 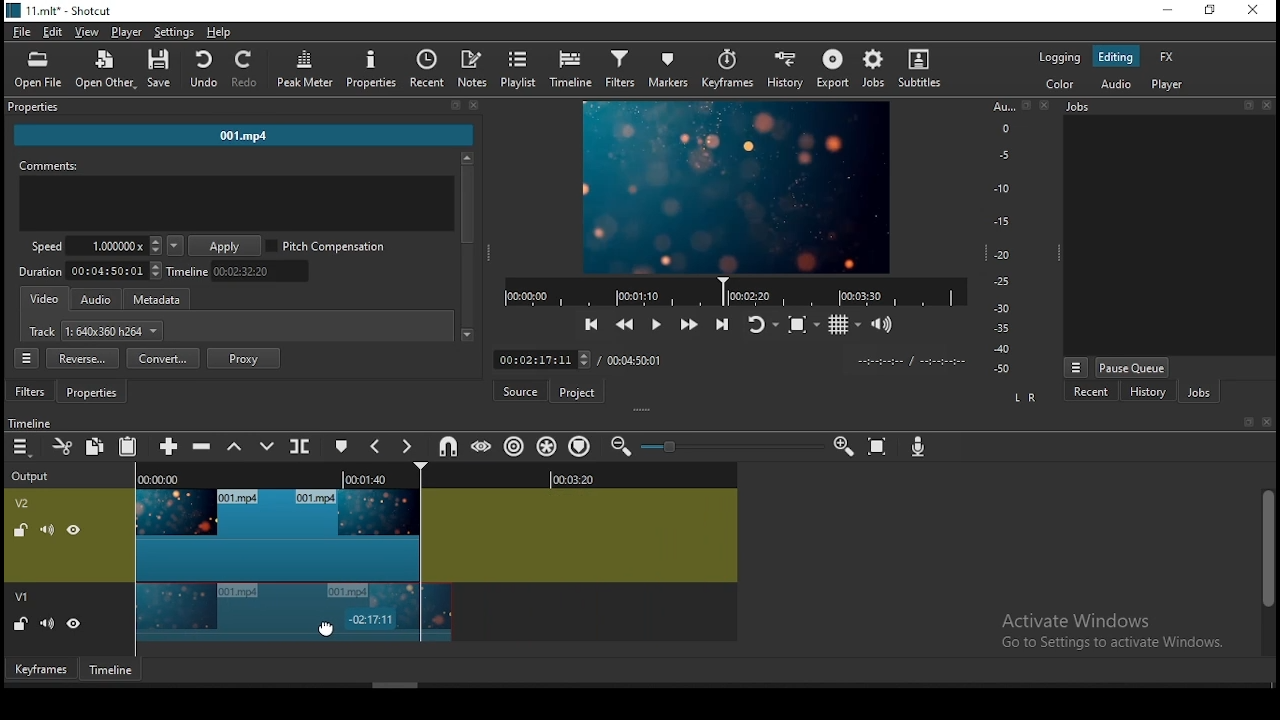 What do you see at coordinates (1093, 394) in the screenshot?
I see `recent` at bounding box center [1093, 394].